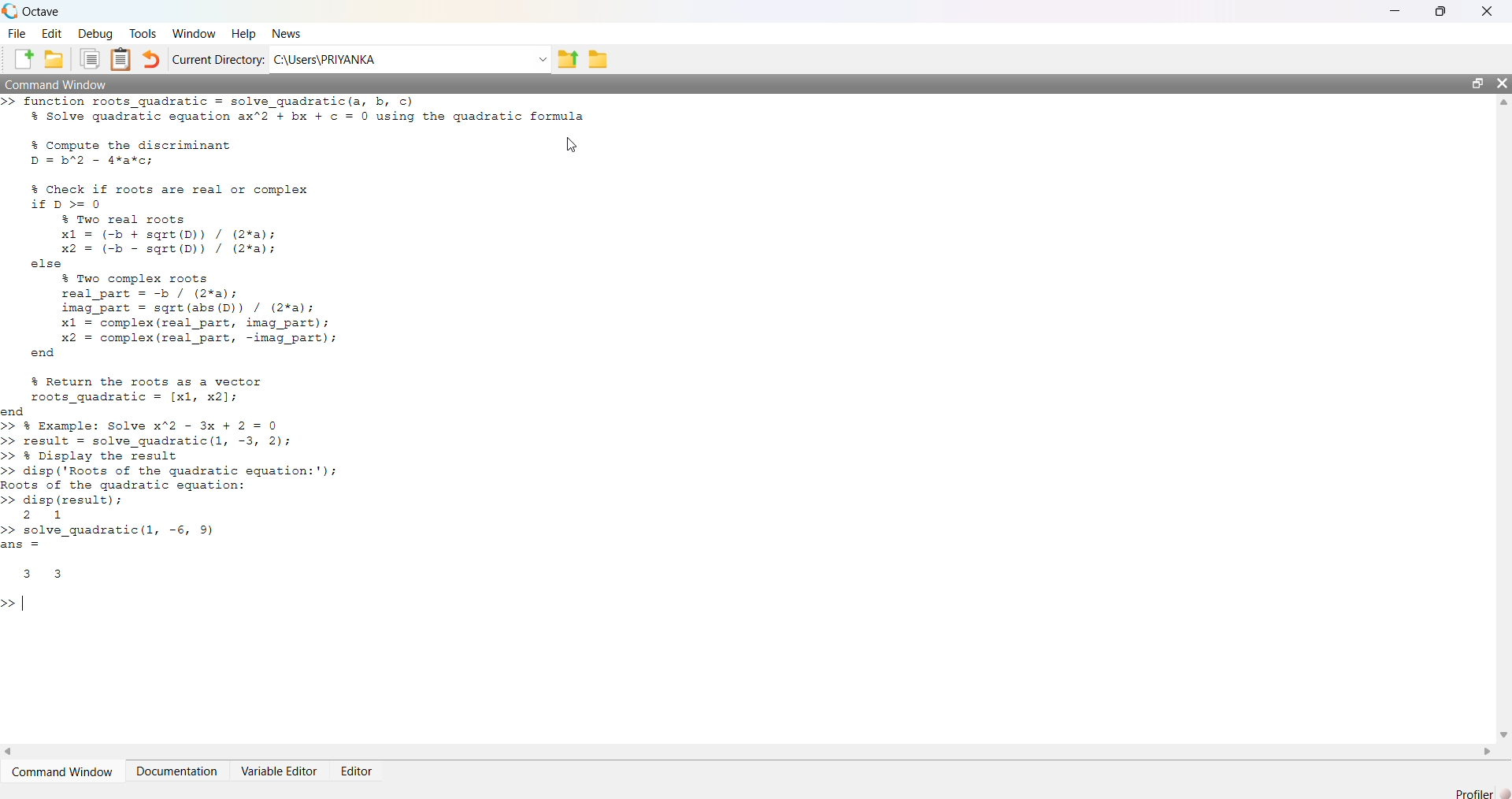  What do you see at coordinates (573, 145) in the screenshot?
I see `Cursor` at bounding box center [573, 145].